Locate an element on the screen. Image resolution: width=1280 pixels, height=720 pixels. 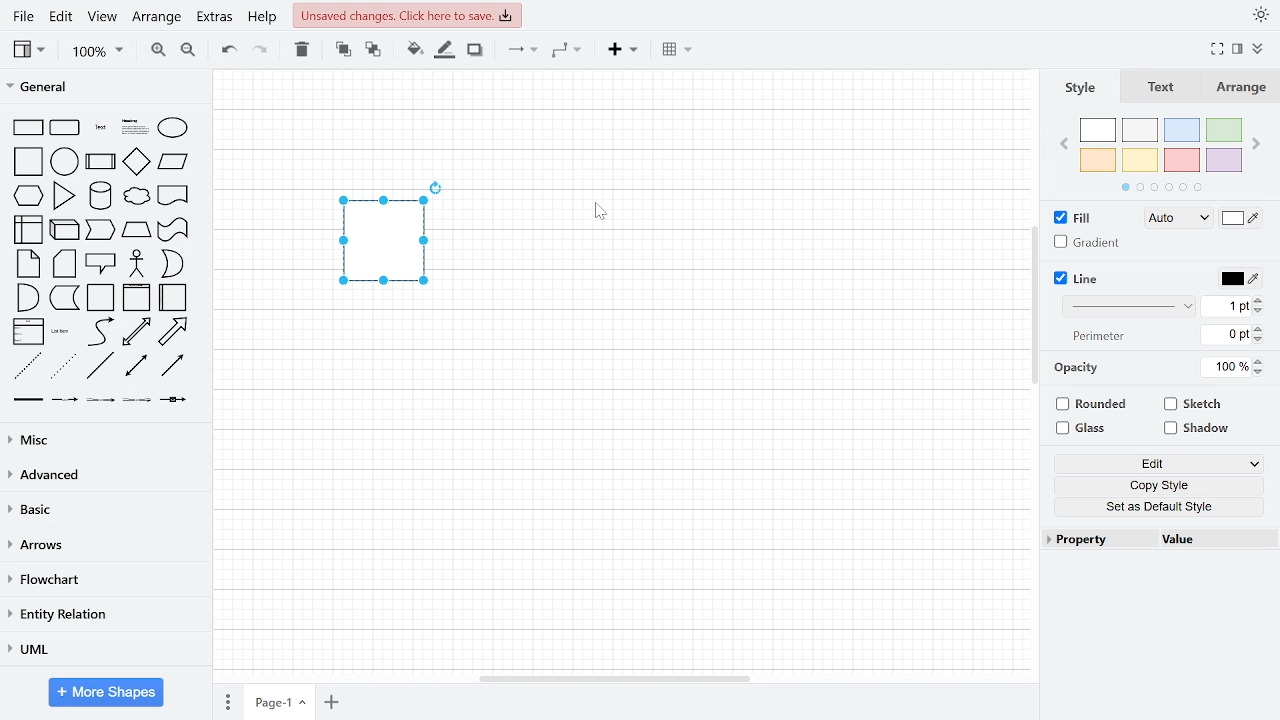
shape unlocked is located at coordinates (381, 242).